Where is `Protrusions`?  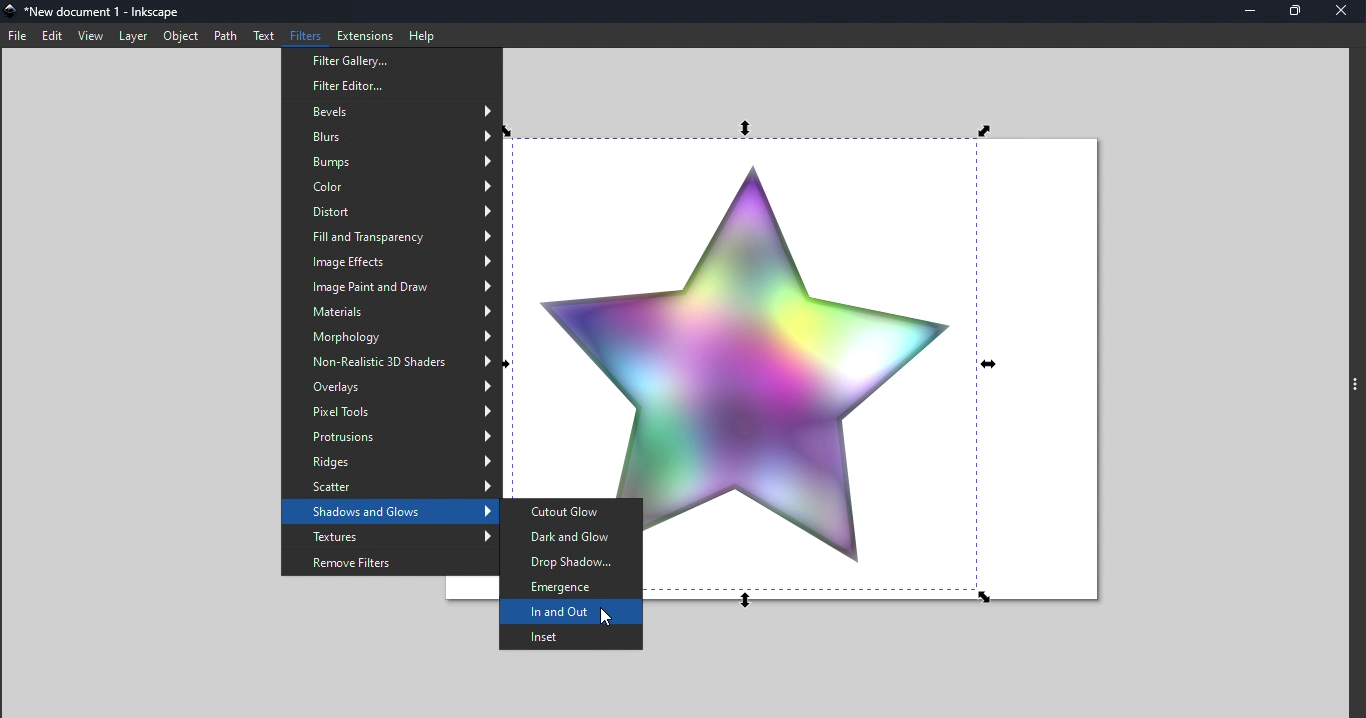 Protrusions is located at coordinates (392, 438).